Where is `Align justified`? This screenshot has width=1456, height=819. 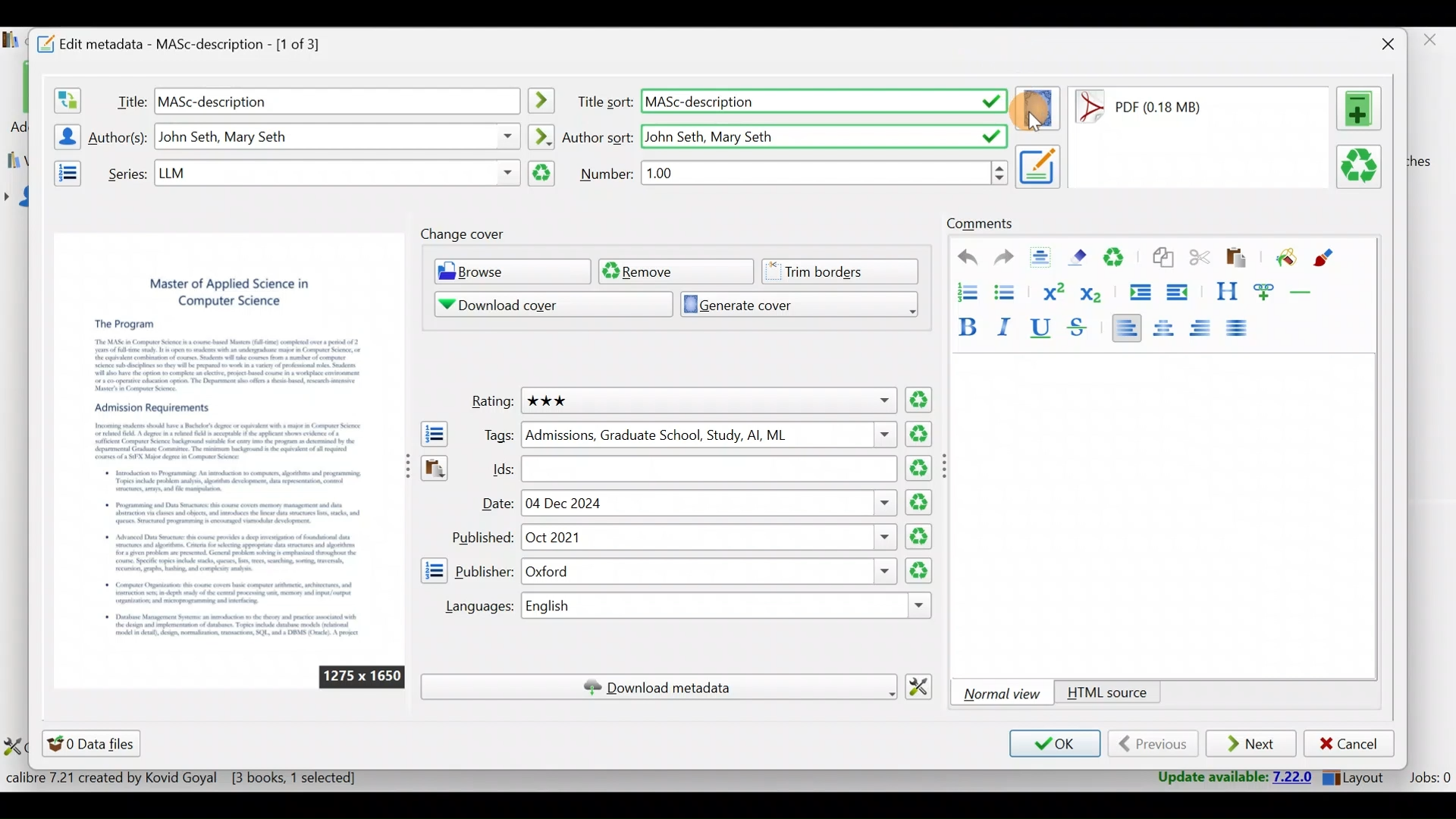 Align justified is located at coordinates (1241, 329).